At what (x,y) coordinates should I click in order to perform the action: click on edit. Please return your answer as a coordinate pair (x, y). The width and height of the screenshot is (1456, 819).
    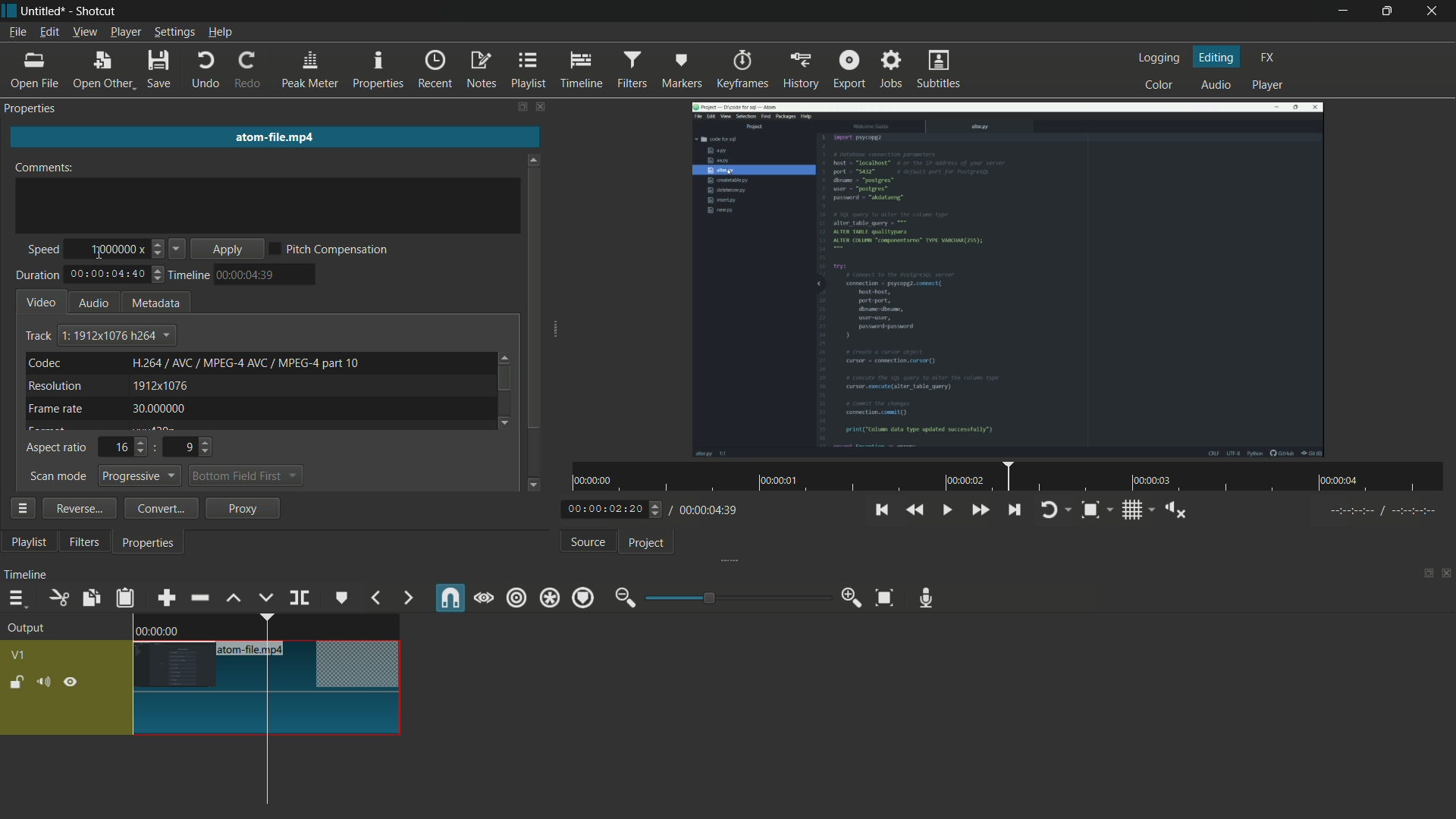
    Looking at the image, I should click on (49, 33).